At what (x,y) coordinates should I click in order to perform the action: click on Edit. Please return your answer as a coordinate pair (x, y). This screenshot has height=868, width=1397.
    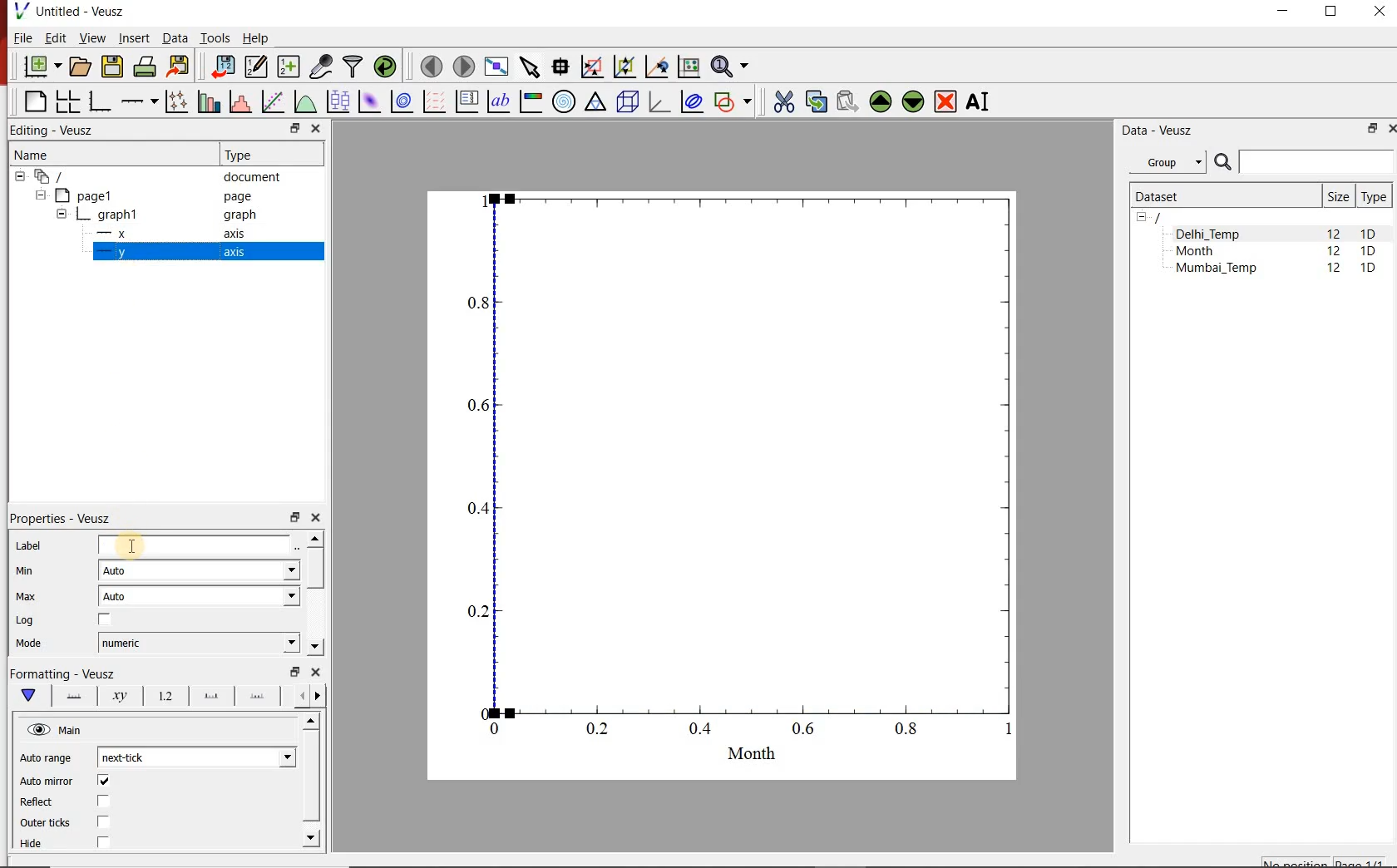
    Looking at the image, I should click on (54, 37).